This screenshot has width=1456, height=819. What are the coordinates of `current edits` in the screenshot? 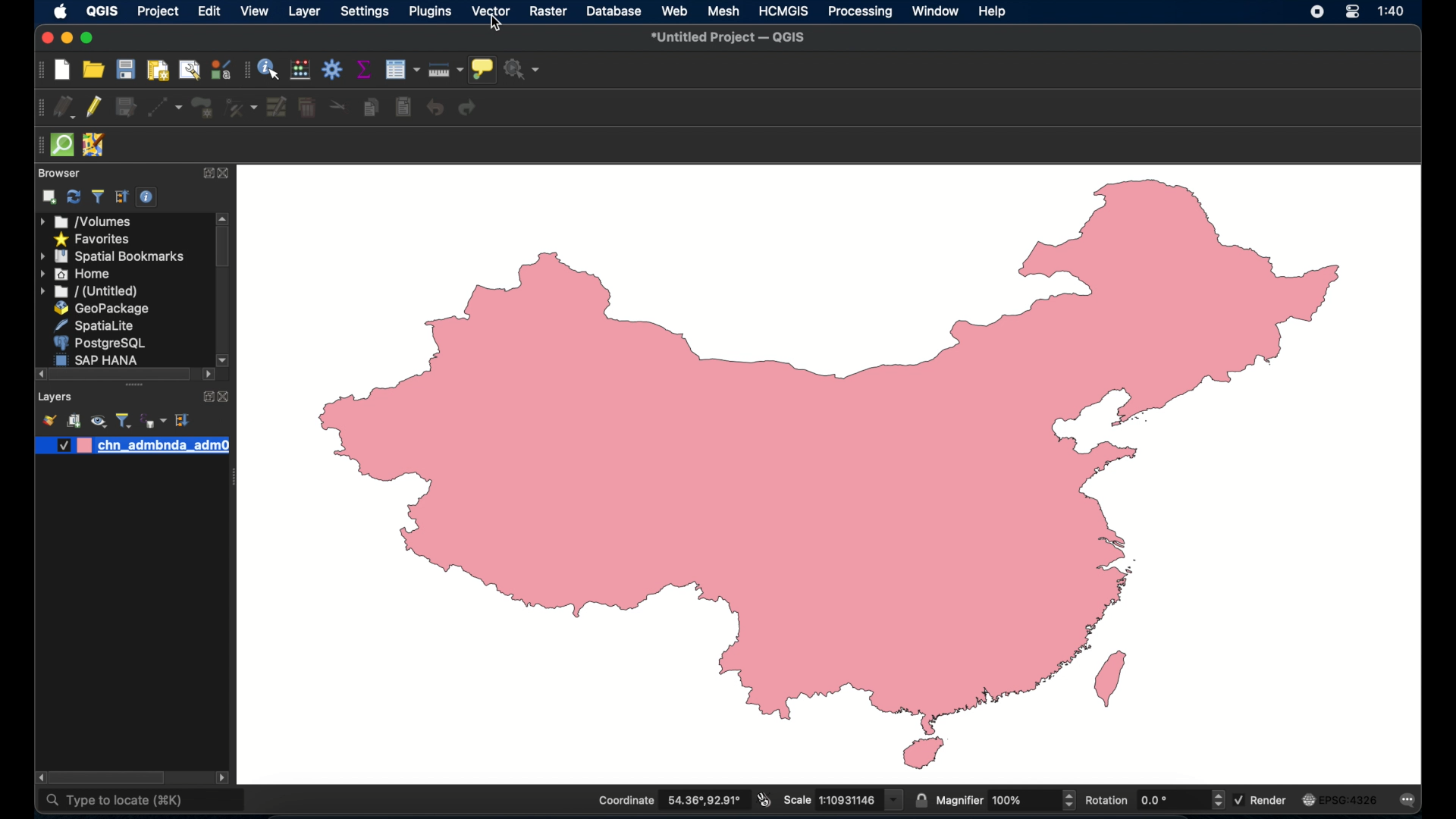 It's located at (65, 107).